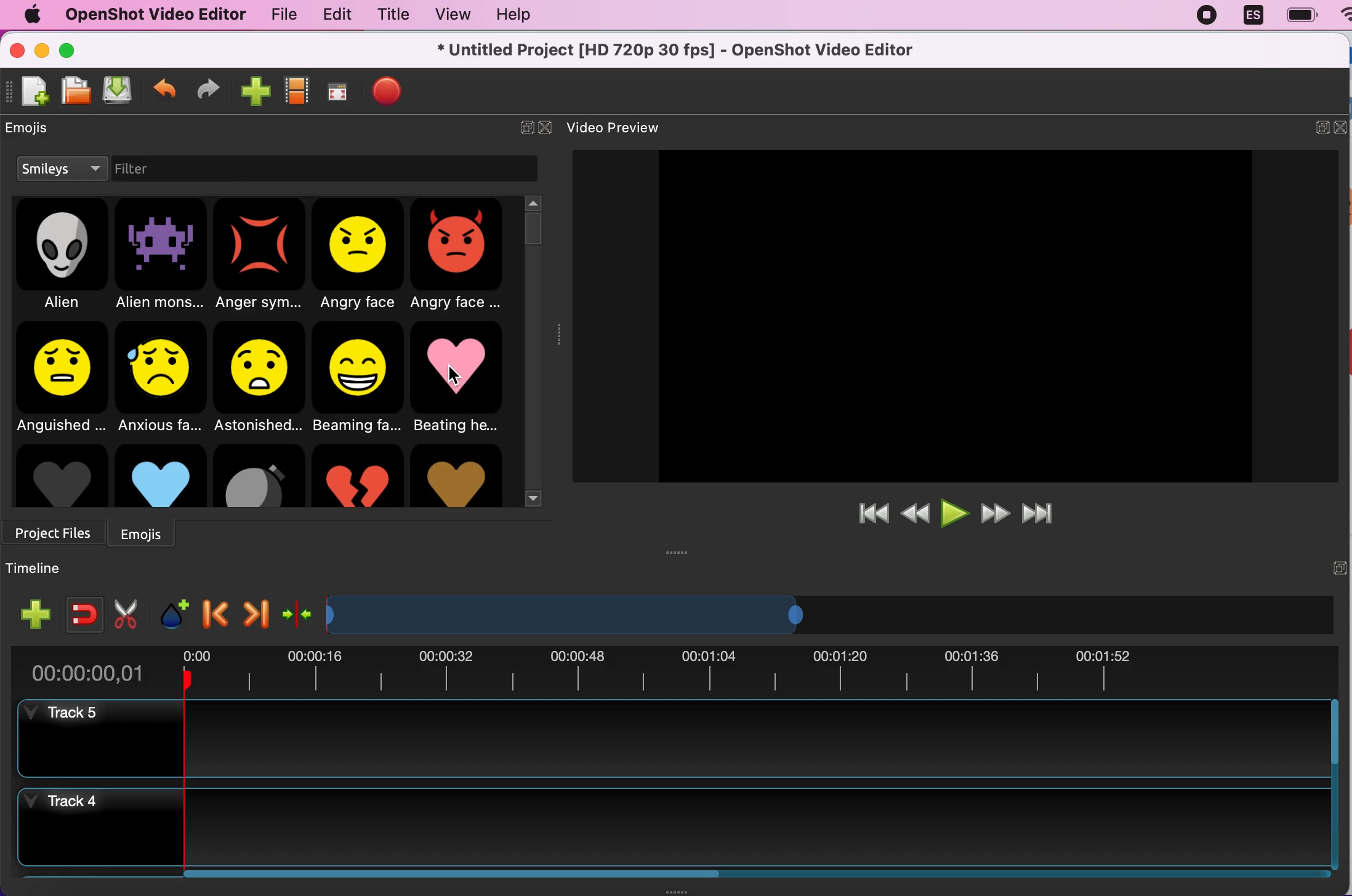 The width and height of the screenshot is (1352, 896). I want to click on beating heart, so click(463, 380).